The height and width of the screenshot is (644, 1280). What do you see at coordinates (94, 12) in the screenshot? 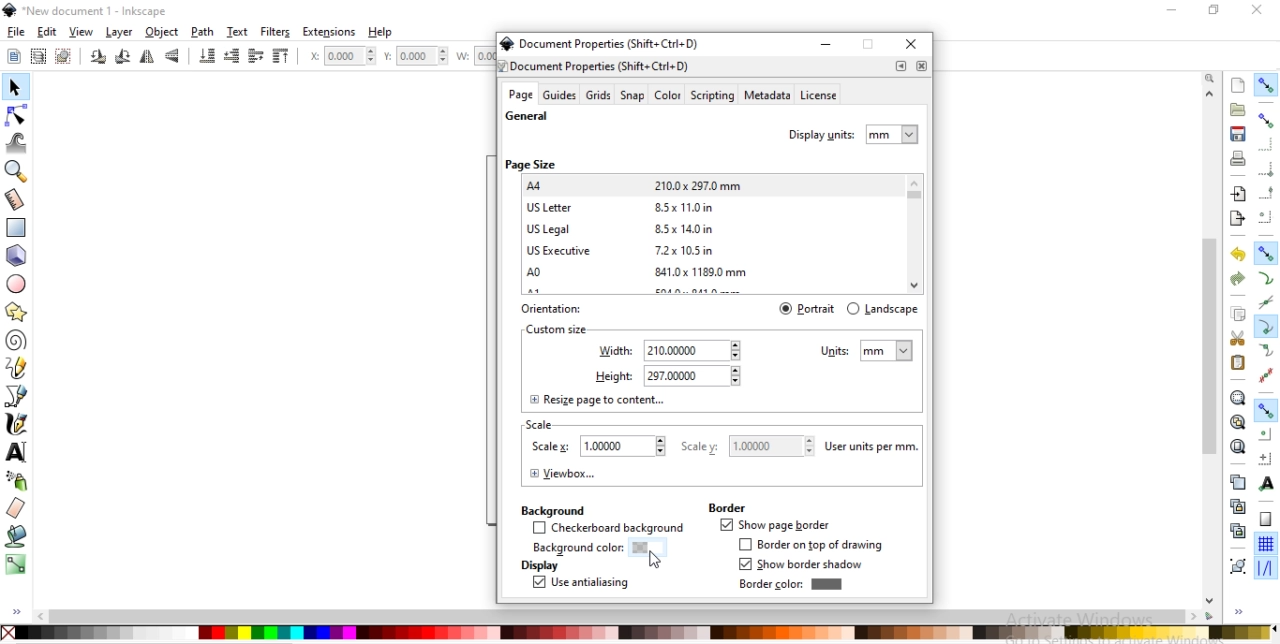
I see `new document 1 -Inksacpe` at bounding box center [94, 12].